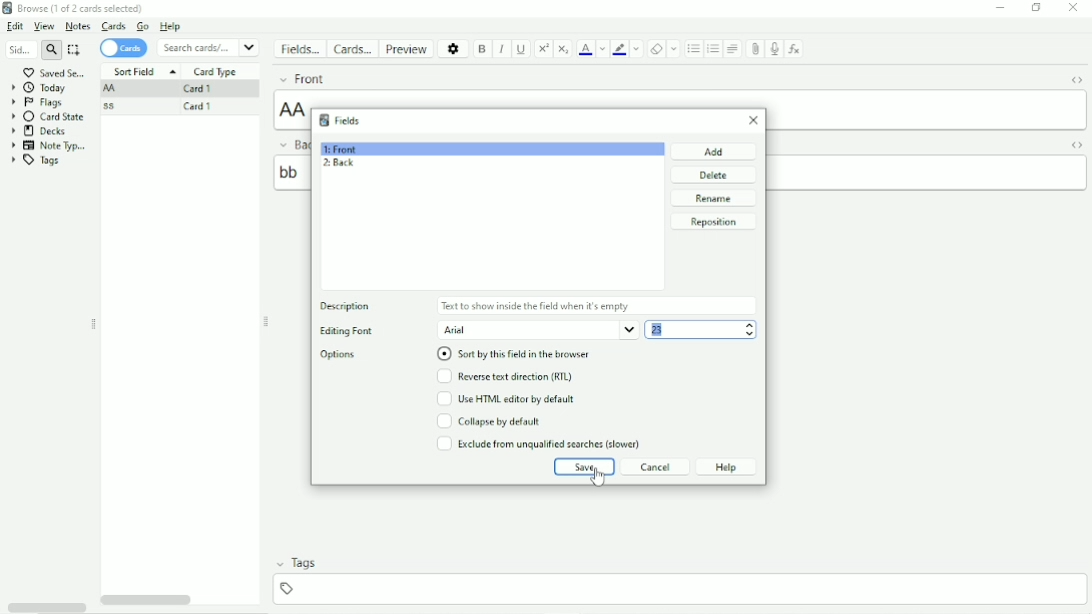 This screenshot has height=614, width=1092. I want to click on Options, so click(452, 48).